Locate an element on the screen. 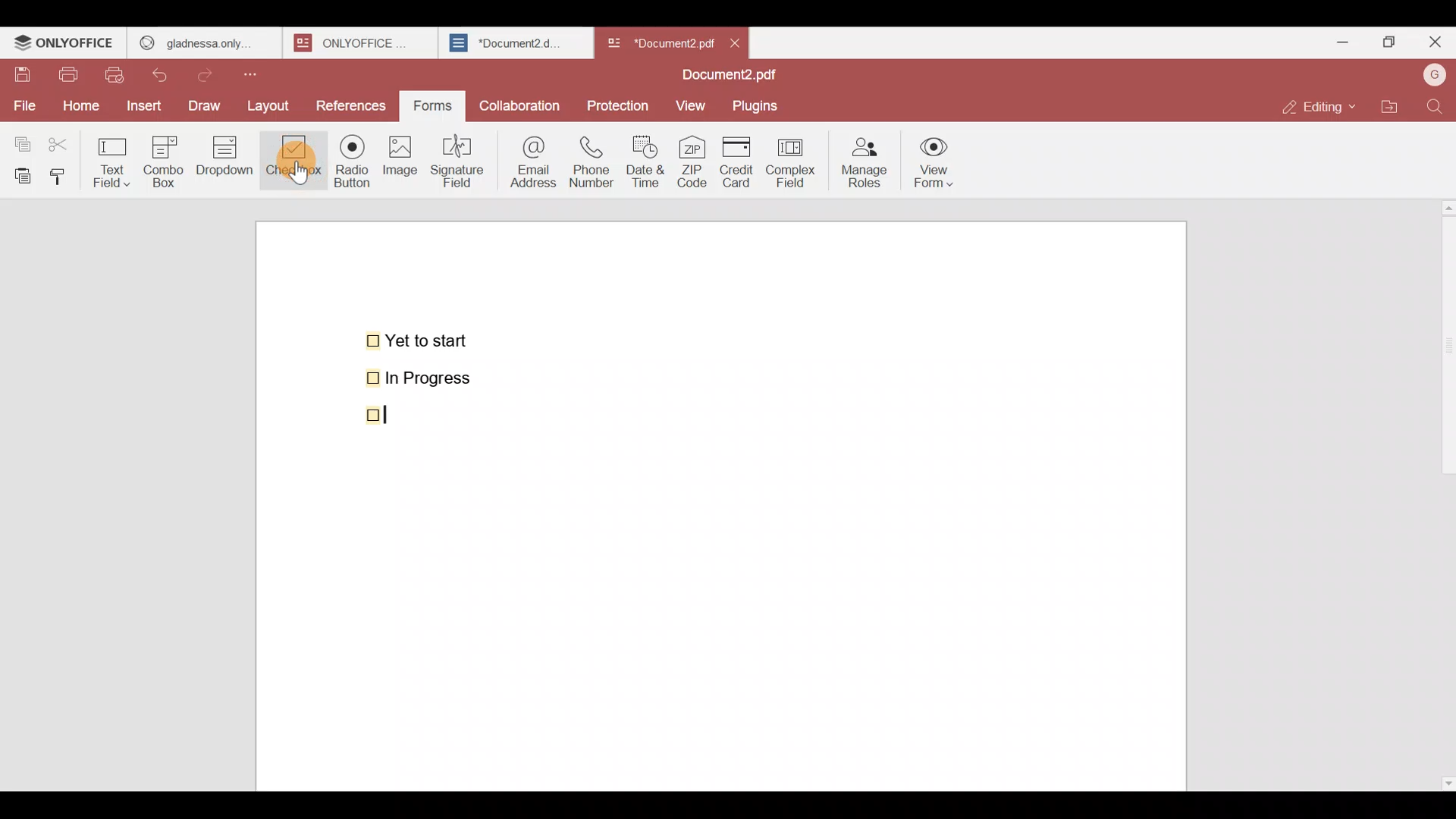 Image resolution: width=1456 pixels, height=819 pixels. Dropdown is located at coordinates (227, 162).